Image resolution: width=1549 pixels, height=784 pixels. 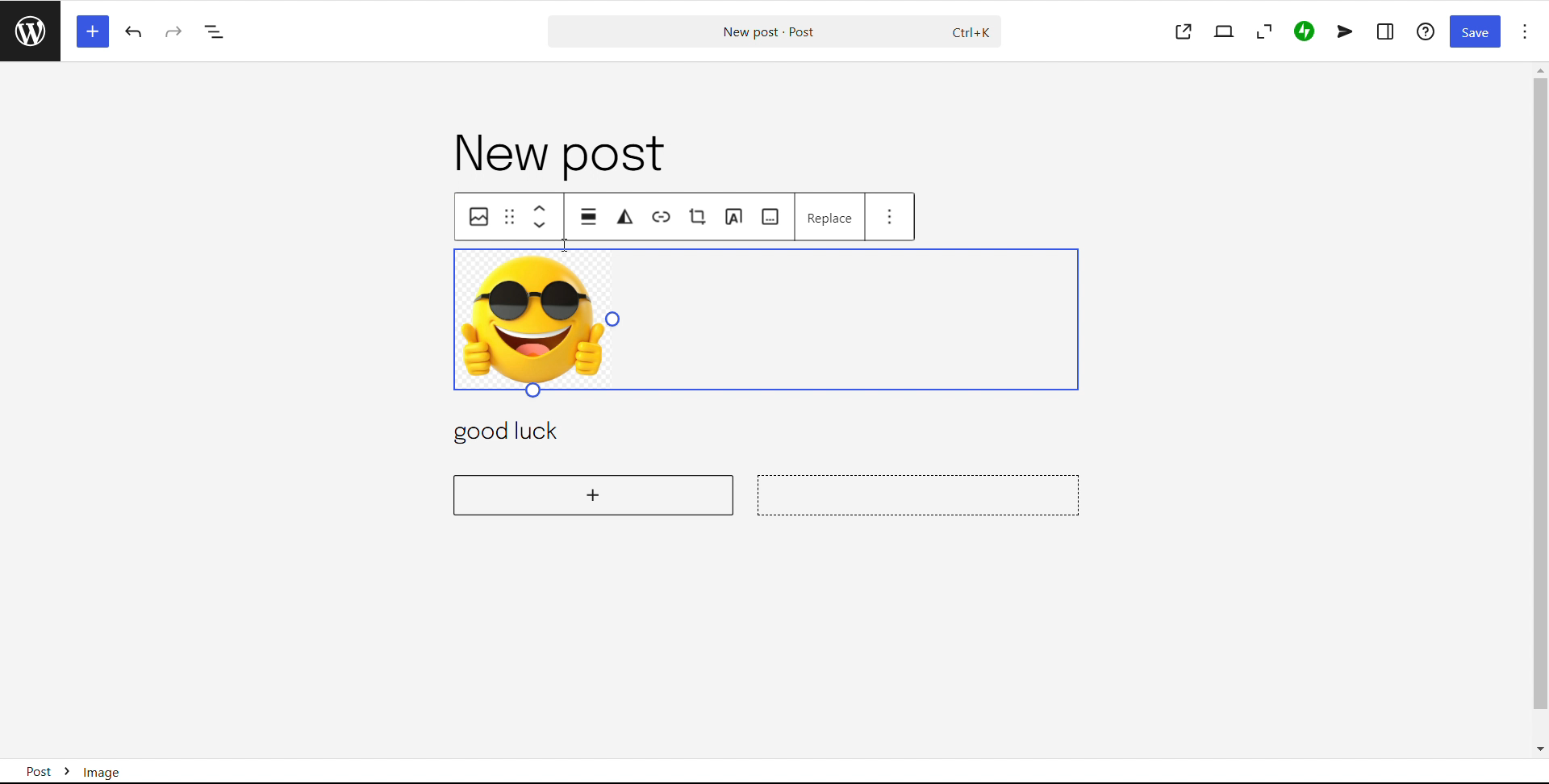 What do you see at coordinates (1304, 32) in the screenshot?
I see `jetpack` at bounding box center [1304, 32].